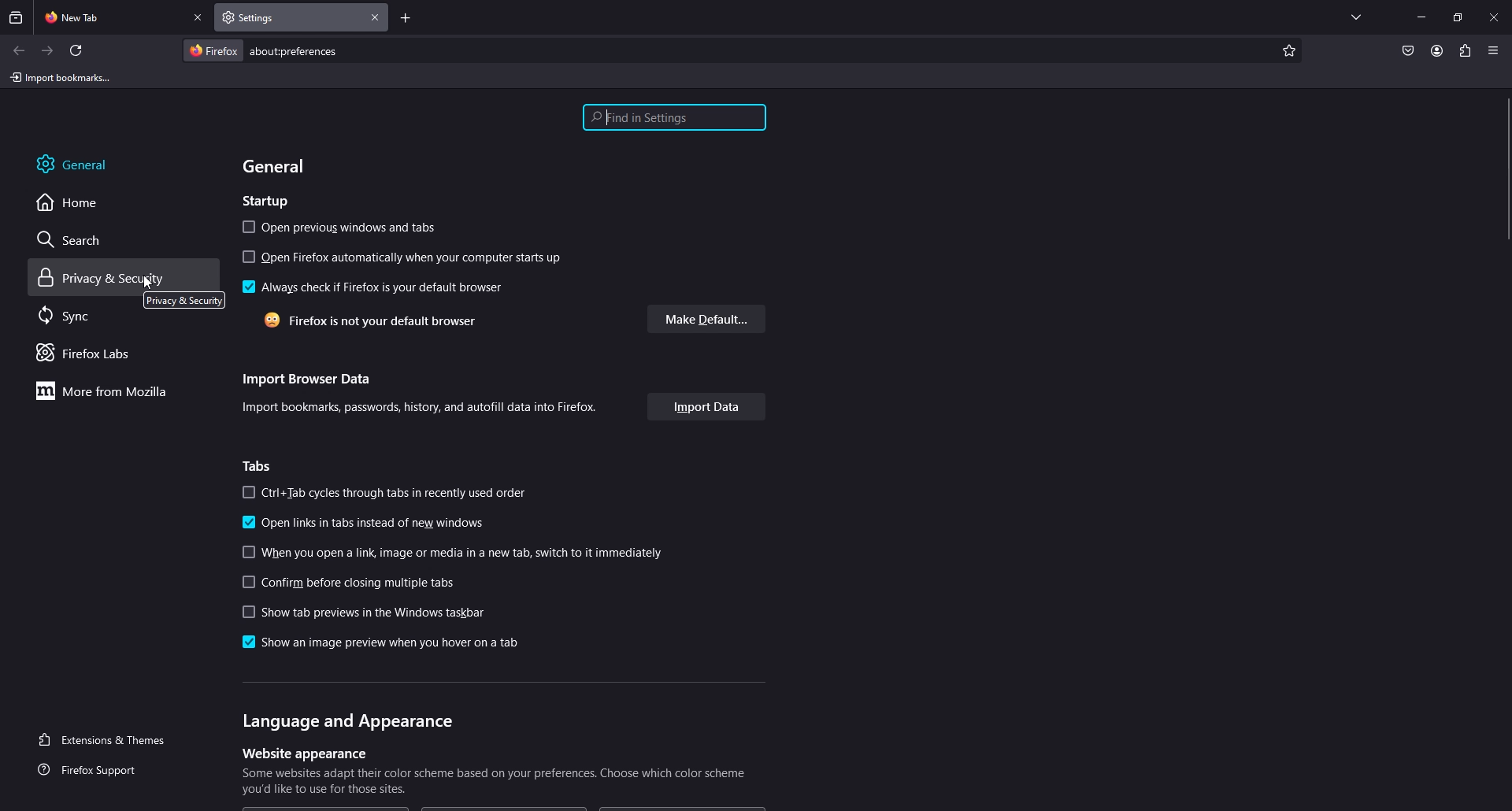  I want to click on recent browsing, so click(17, 17).